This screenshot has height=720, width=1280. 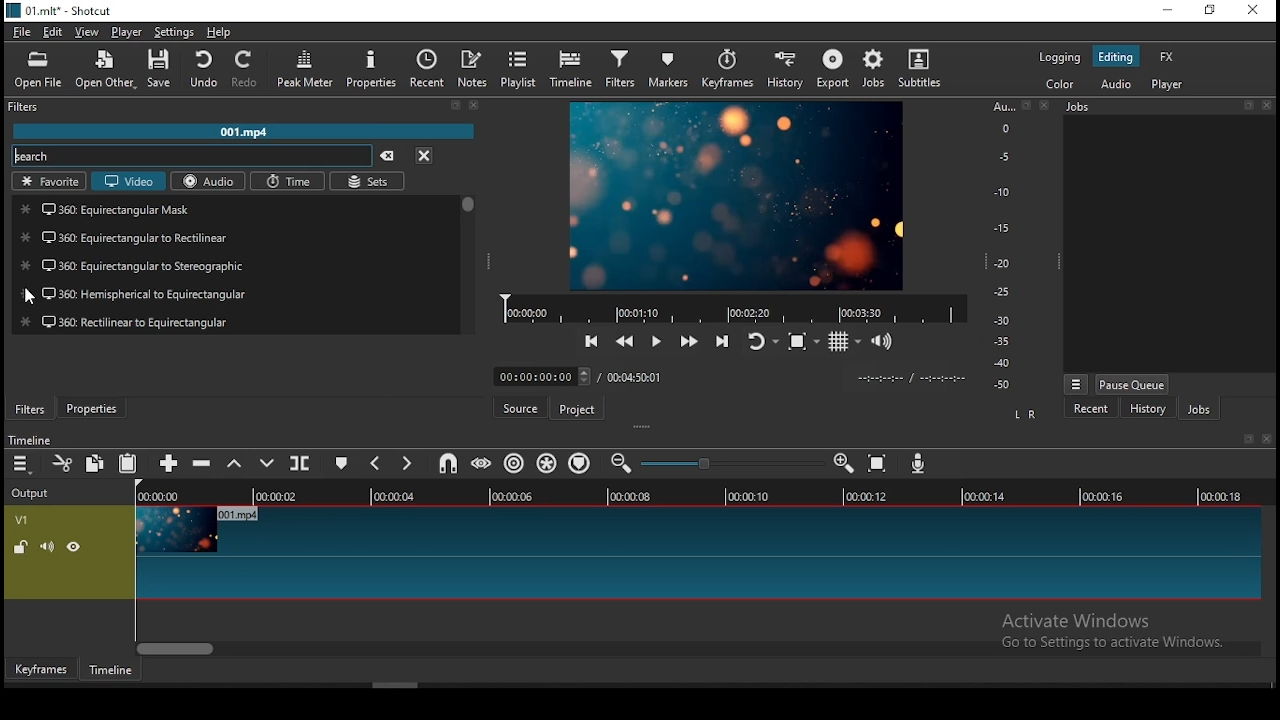 I want to click on keyframes, so click(x=39, y=668).